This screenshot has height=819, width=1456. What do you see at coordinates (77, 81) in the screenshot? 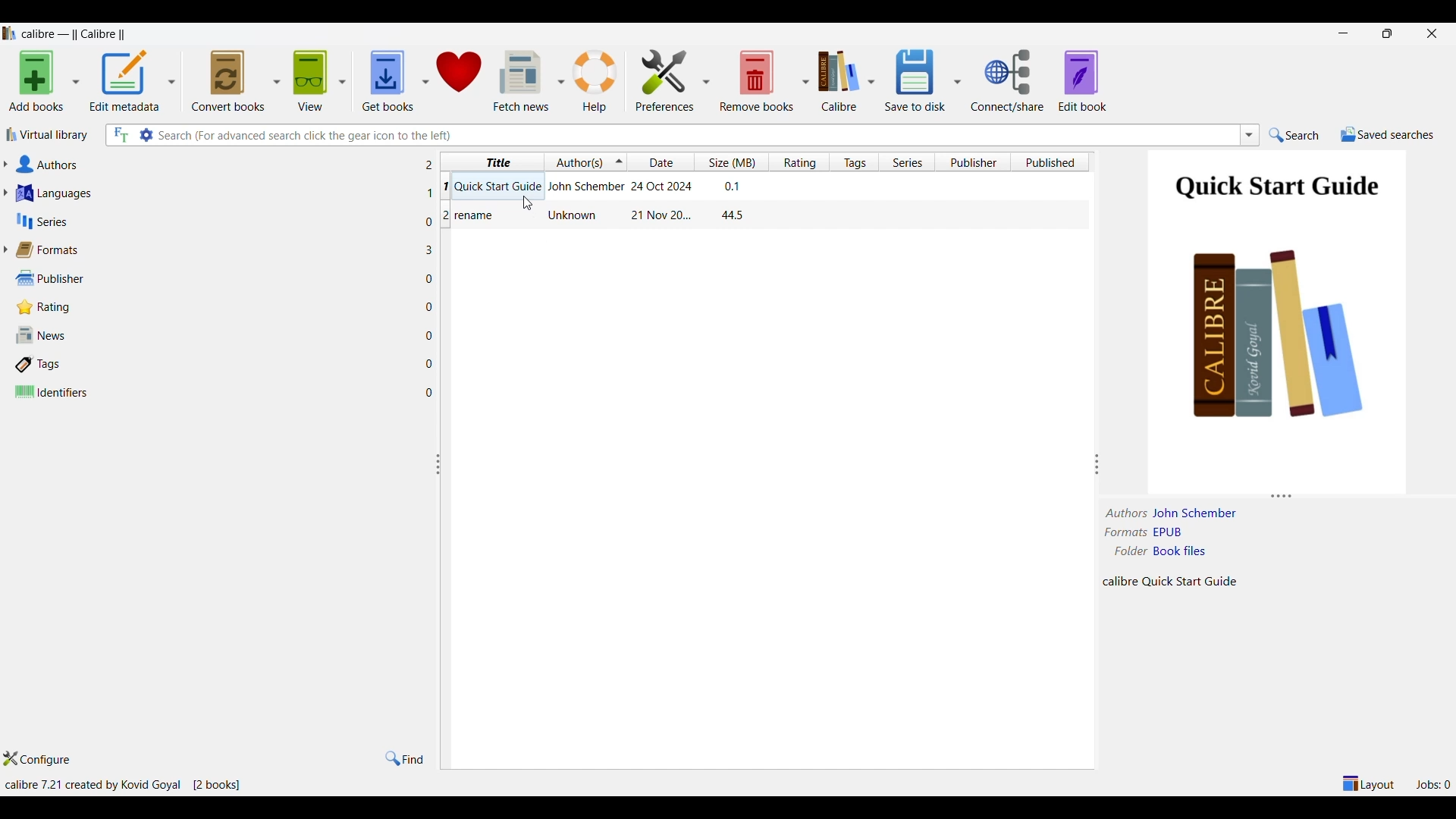
I see `Add book options` at bounding box center [77, 81].